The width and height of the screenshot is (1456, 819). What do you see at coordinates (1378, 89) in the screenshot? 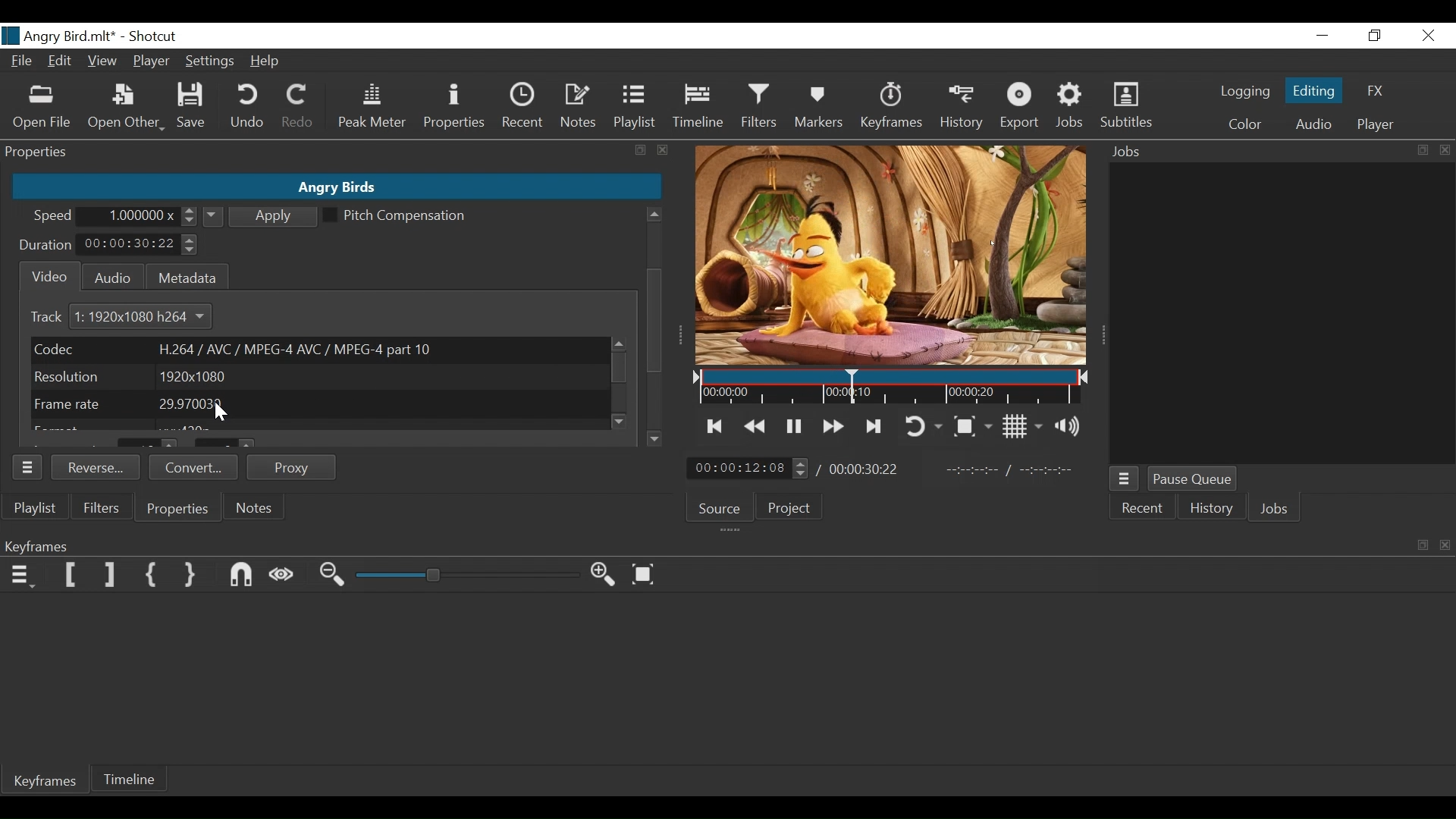
I see `FX` at bounding box center [1378, 89].